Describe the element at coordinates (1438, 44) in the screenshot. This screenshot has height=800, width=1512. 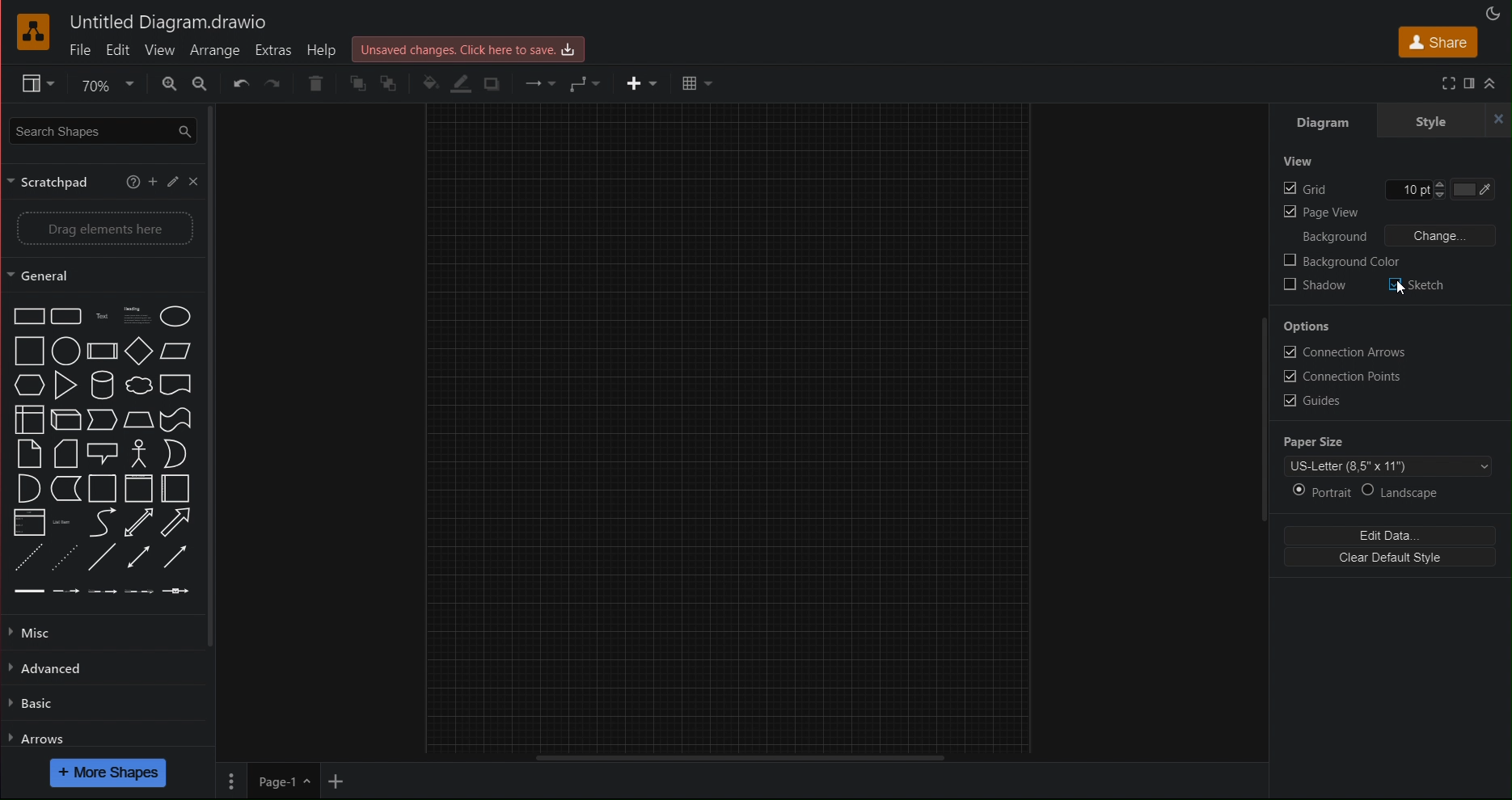
I see `Share` at that location.